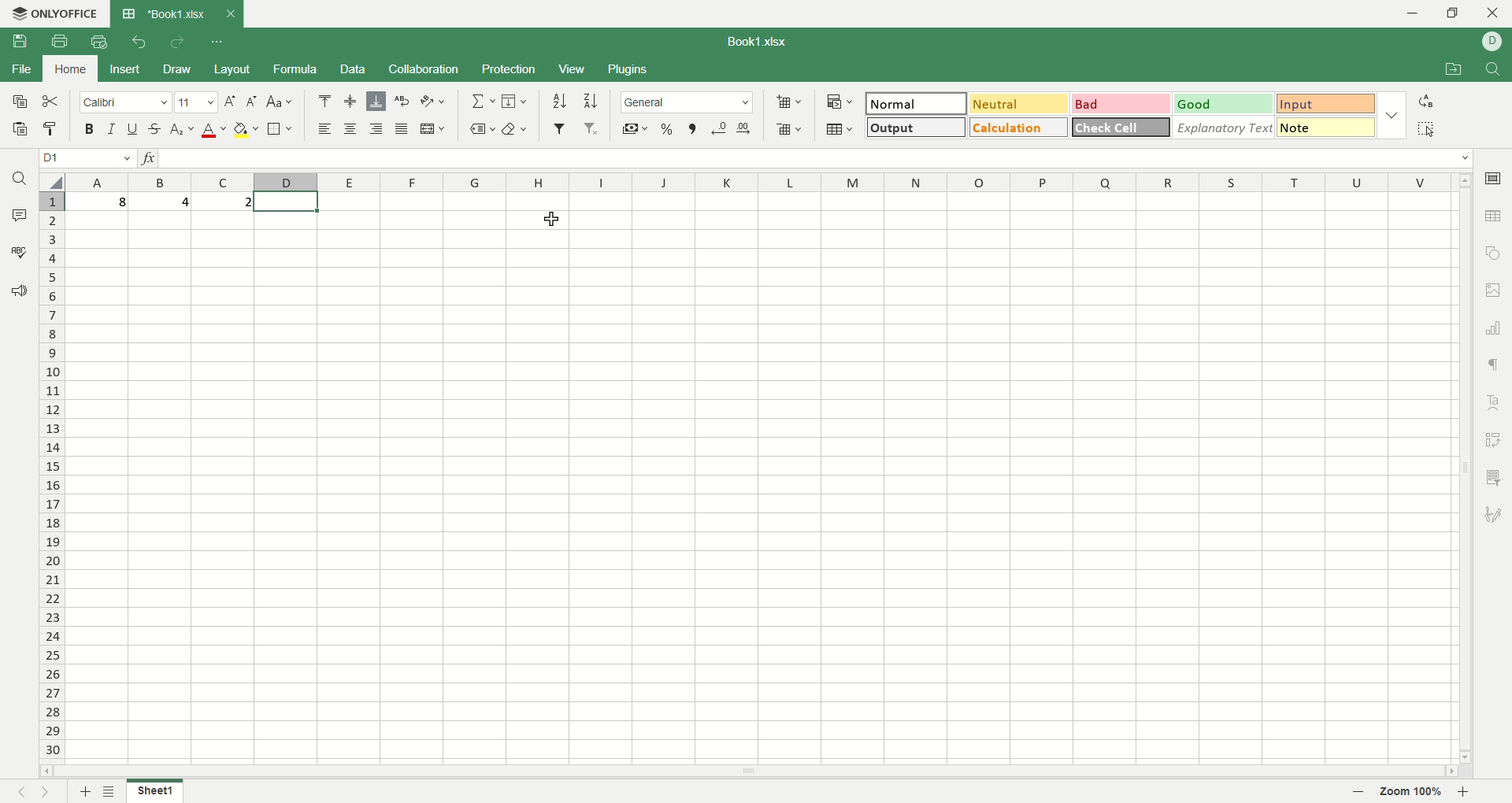  I want to click on table, so click(838, 128).